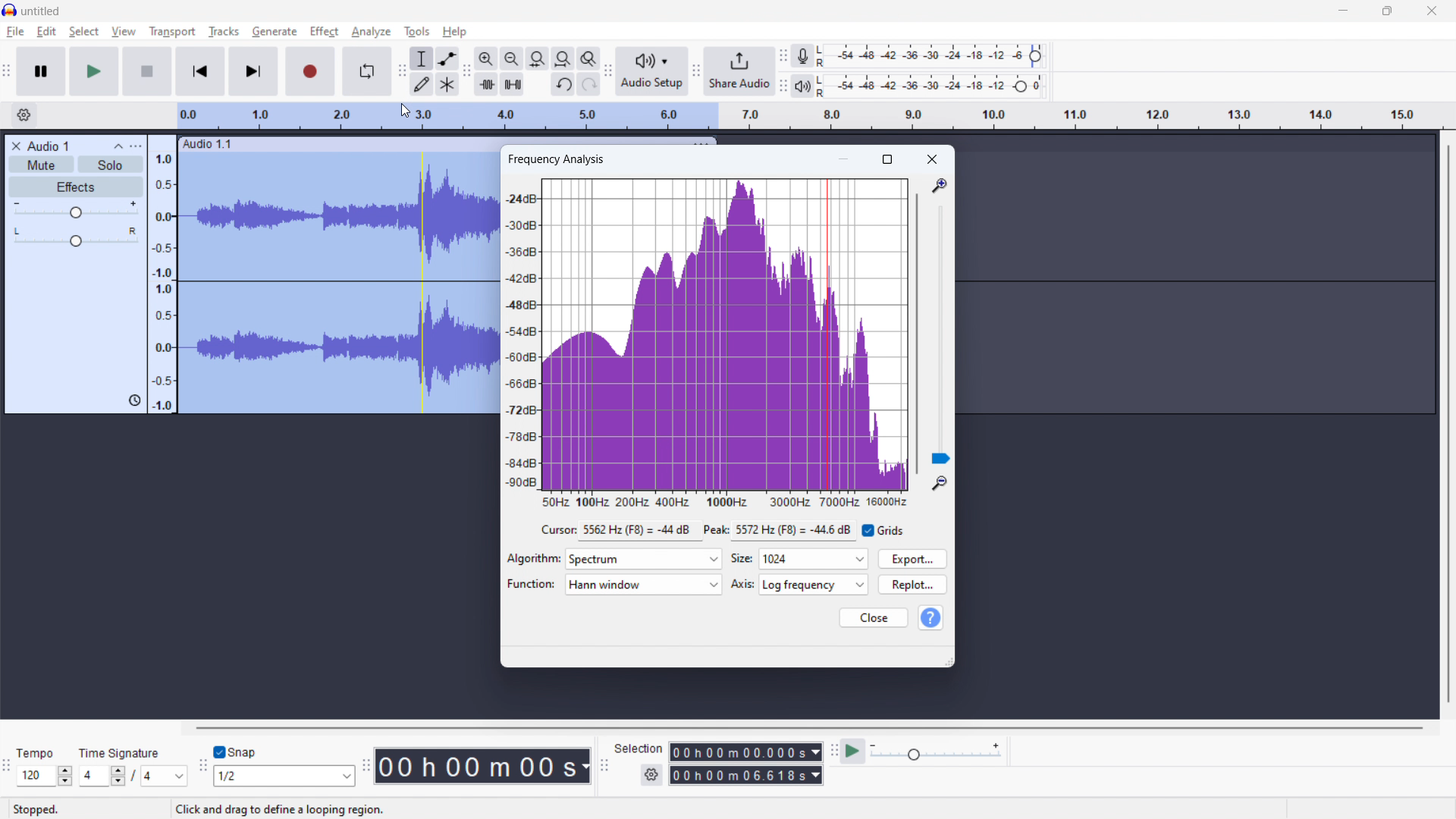 Image resolution: width=1456 pixels, height=819 pixels. What do you see at coordinates (742, 584) in the screenshot?
I see `Axis` at bounding box center [742, 584].